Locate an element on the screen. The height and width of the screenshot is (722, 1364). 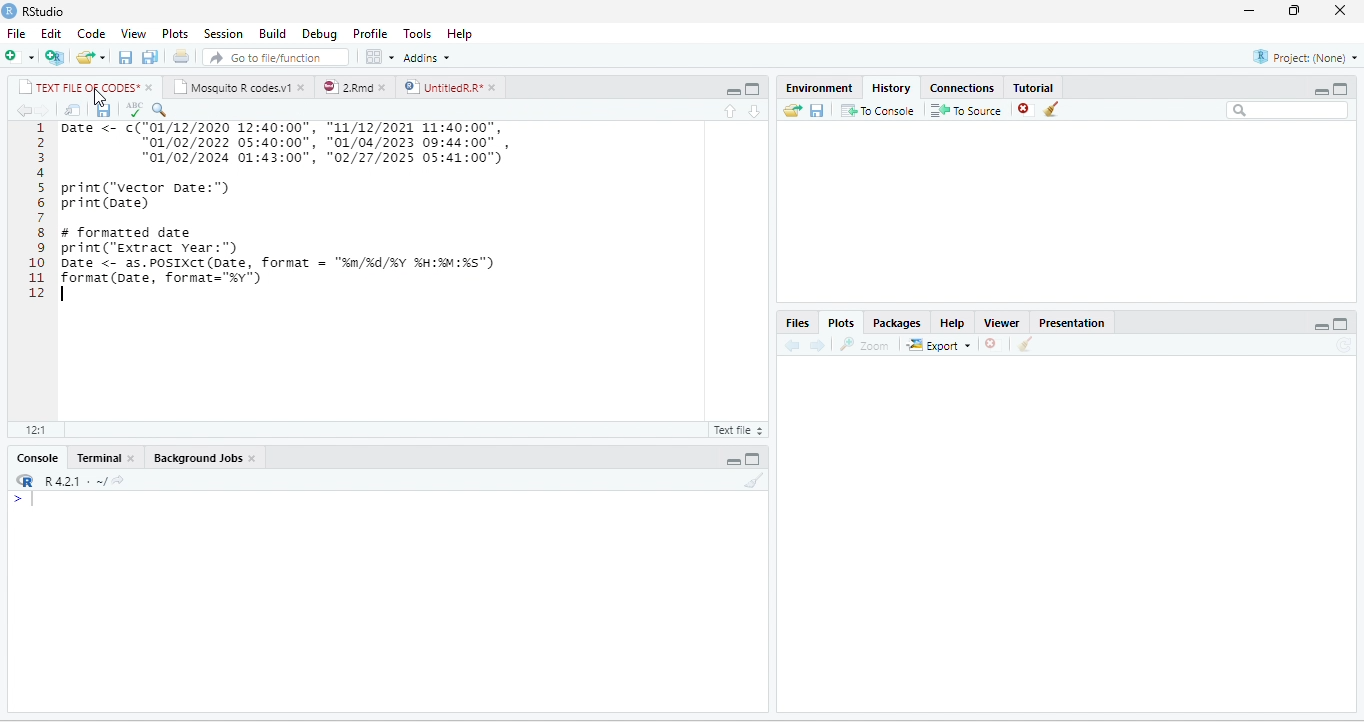
minimize is located at coordinates (733, 462).